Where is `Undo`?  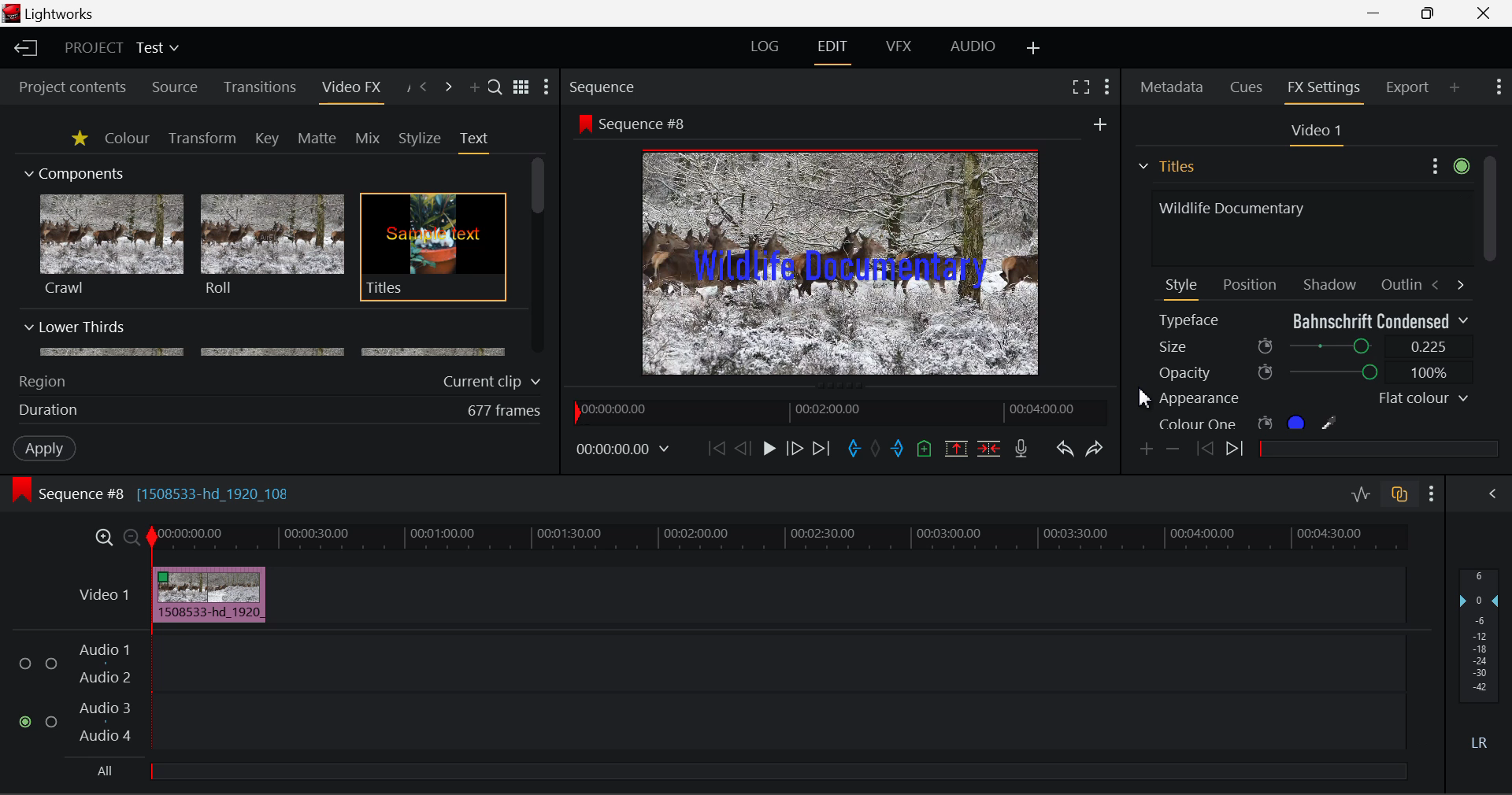 Undo is located at coordinates (1065, 450).